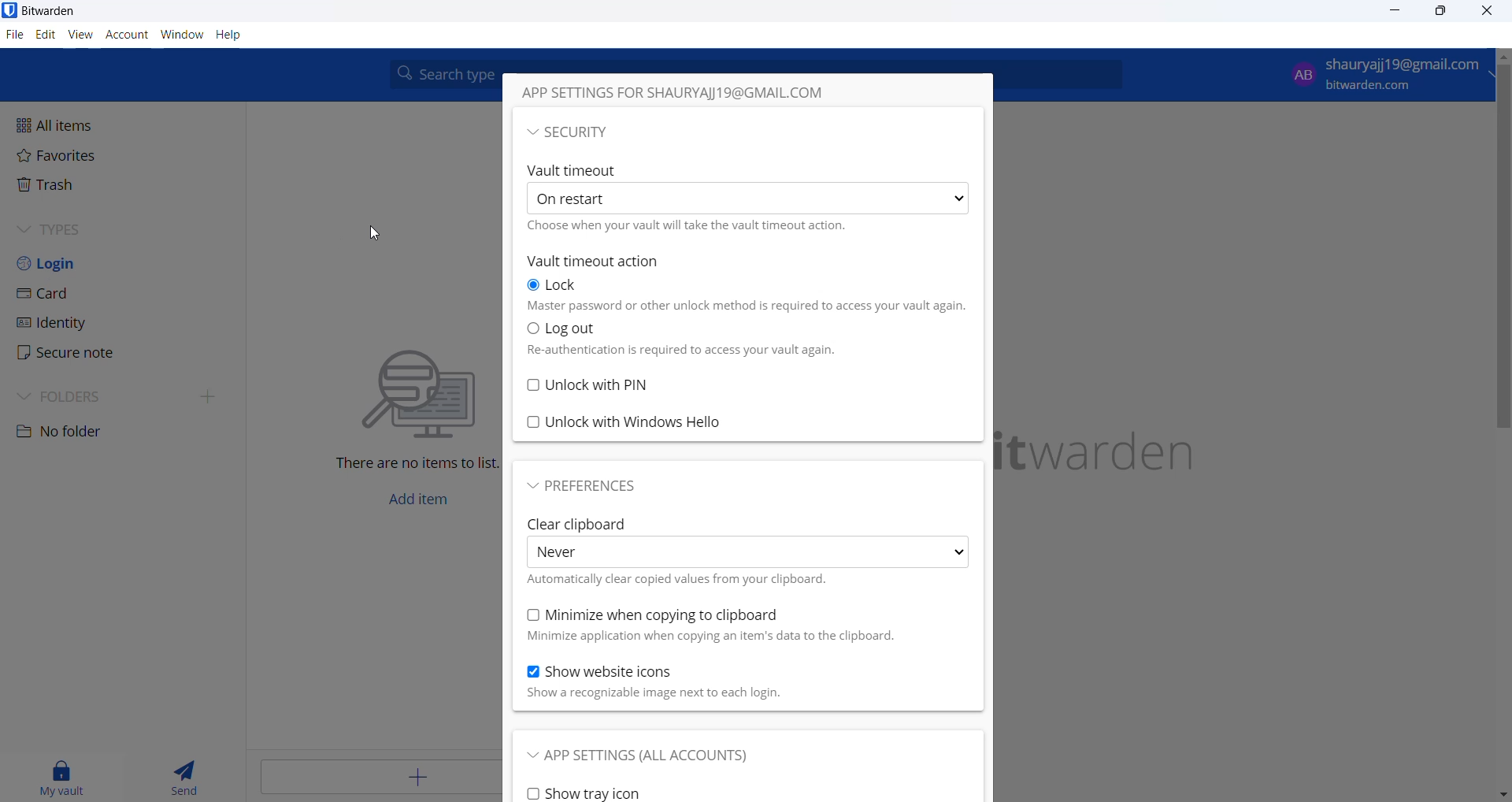  What do you see at coordinates (748, 553) in the screenshot?
I see `never` at bounding box center [748, 553].